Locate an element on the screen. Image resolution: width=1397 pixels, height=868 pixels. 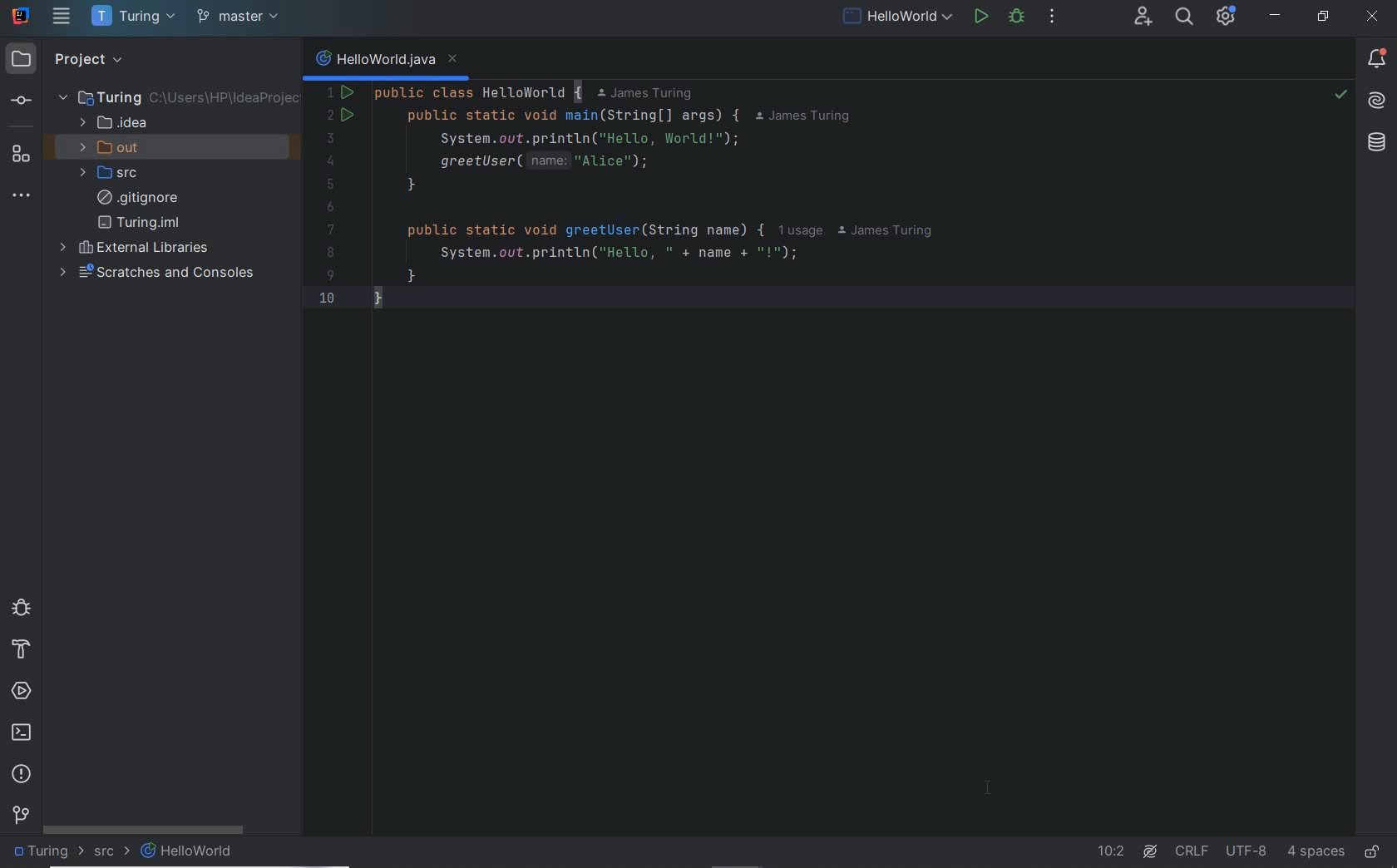
MINIMIZE is located at coordinates (1276, 15).